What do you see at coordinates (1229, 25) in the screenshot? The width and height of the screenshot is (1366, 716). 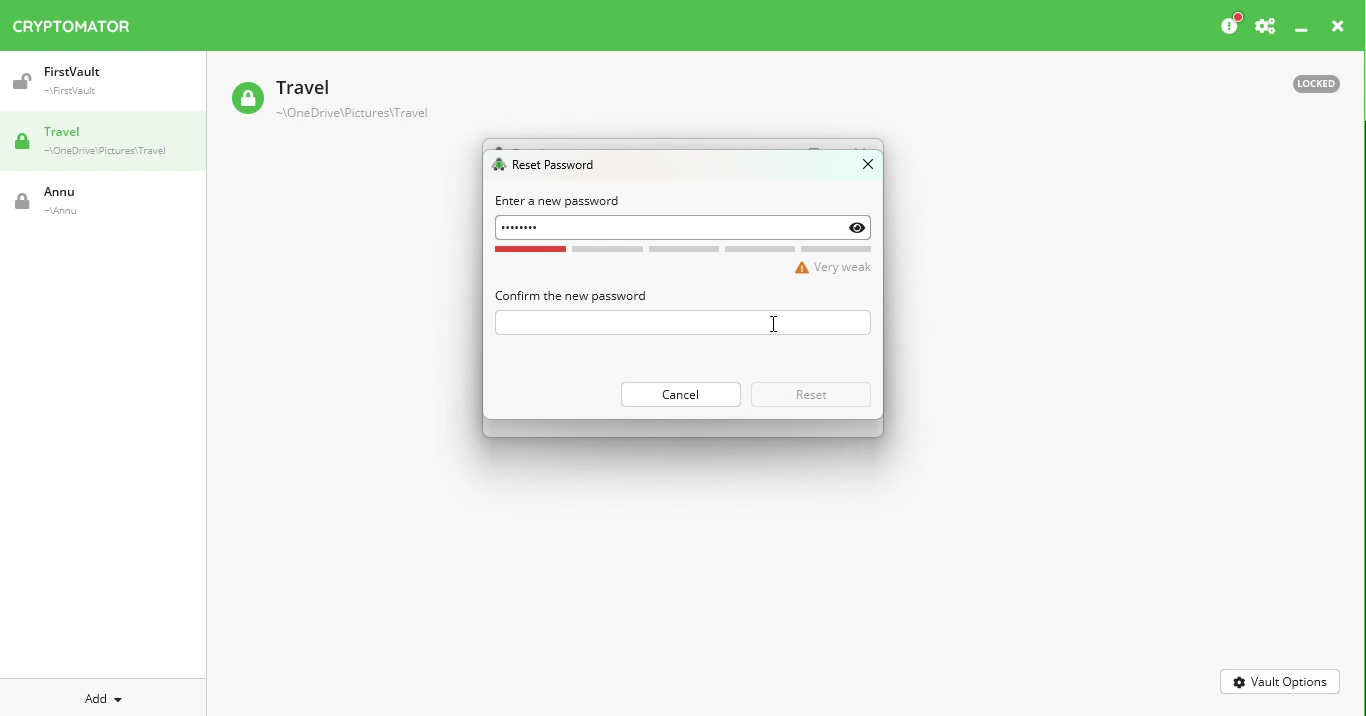 I see `Please consider donating` at bounding box center [1229, 25].